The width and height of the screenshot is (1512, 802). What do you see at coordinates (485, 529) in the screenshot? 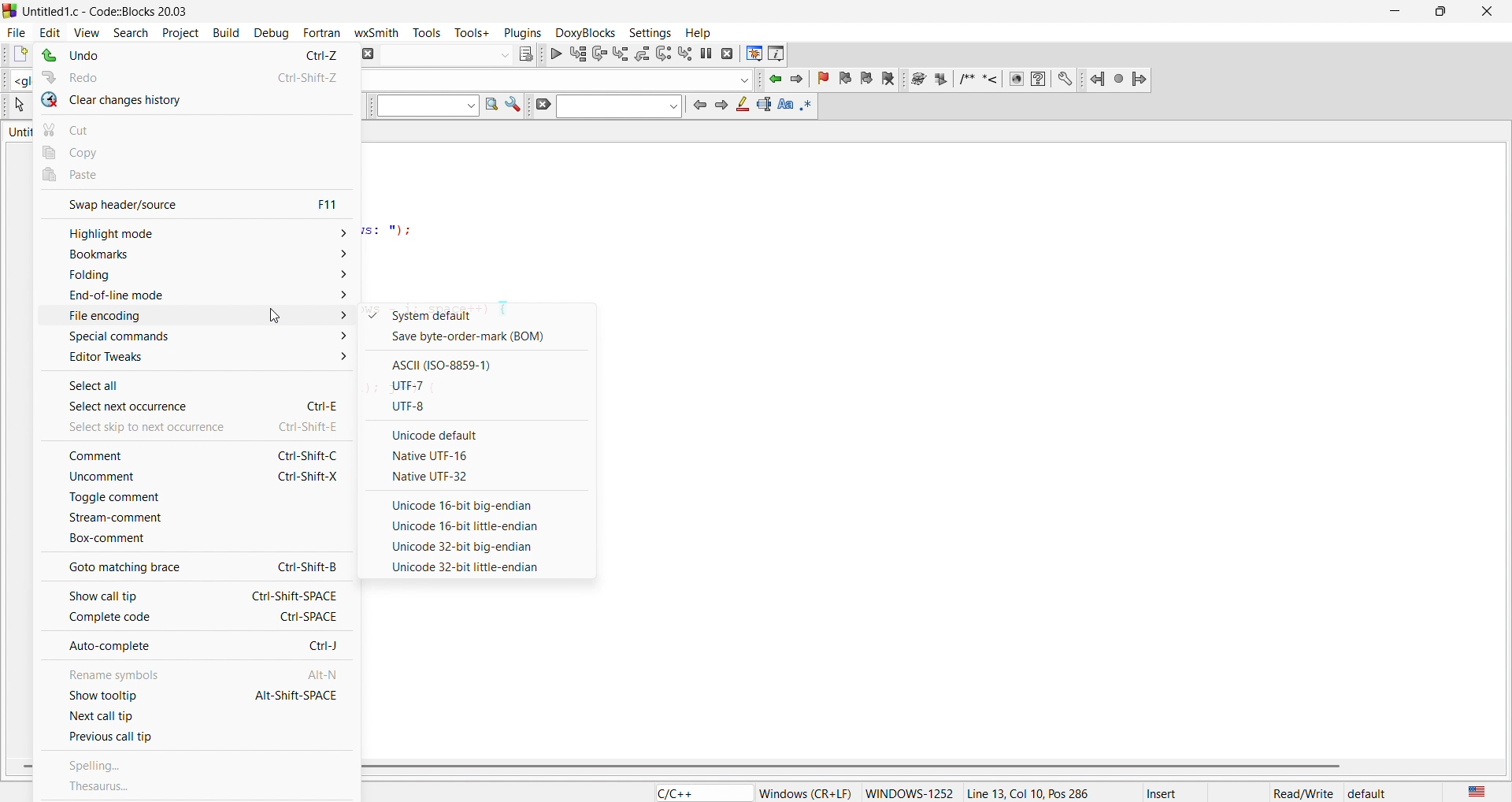
I see `option` at bounding box center [485, 529].